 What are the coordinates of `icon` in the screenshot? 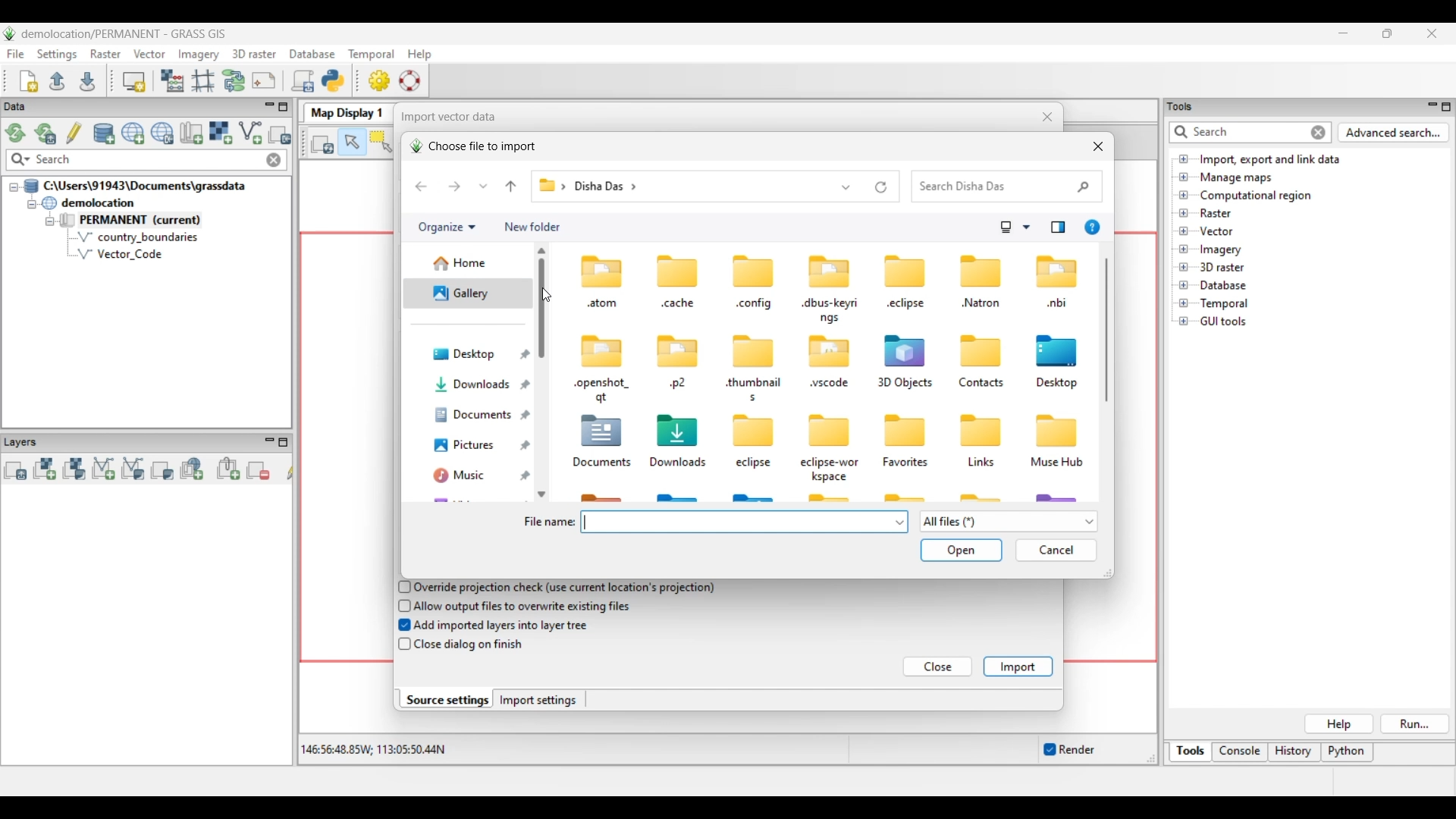 It's located at (905, 271).